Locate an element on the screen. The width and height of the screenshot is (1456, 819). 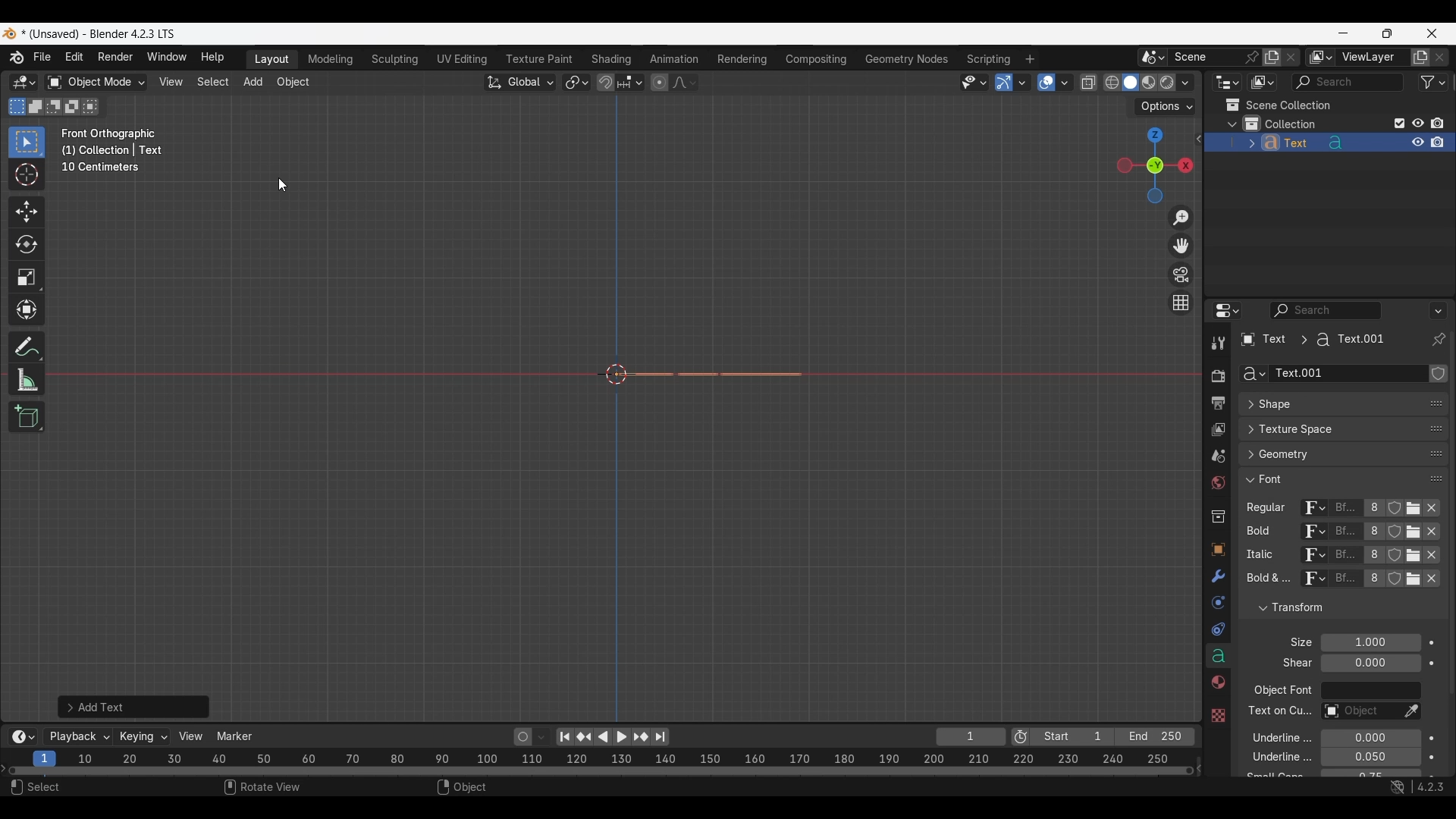
Options for the properties editor is located at coordinates (1439, 310).